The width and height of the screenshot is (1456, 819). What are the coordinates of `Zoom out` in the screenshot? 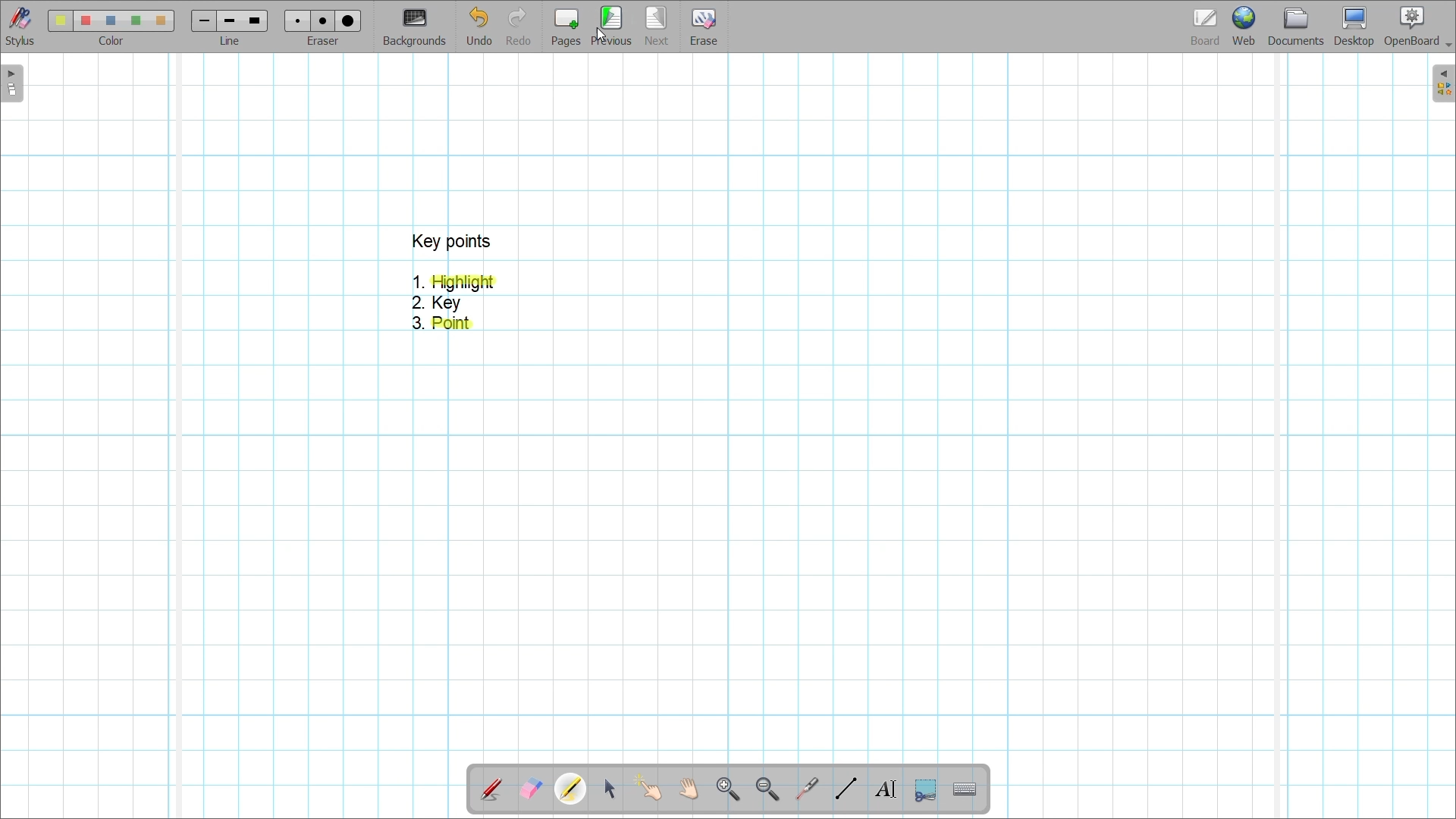 It's located at (768, 790).